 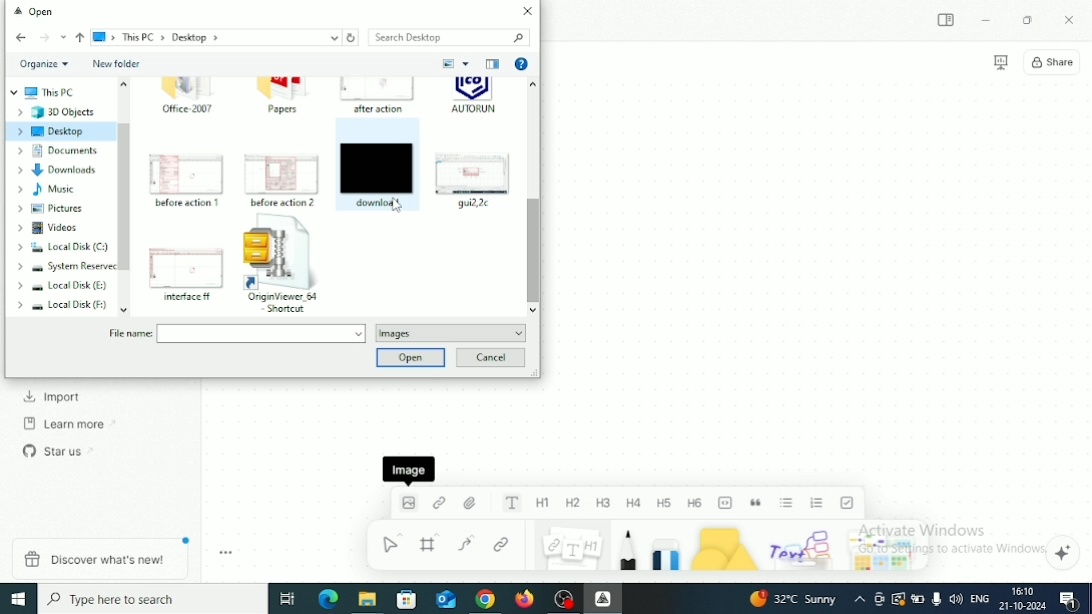 I want to click on Eraser, so click(x=667, y=548).